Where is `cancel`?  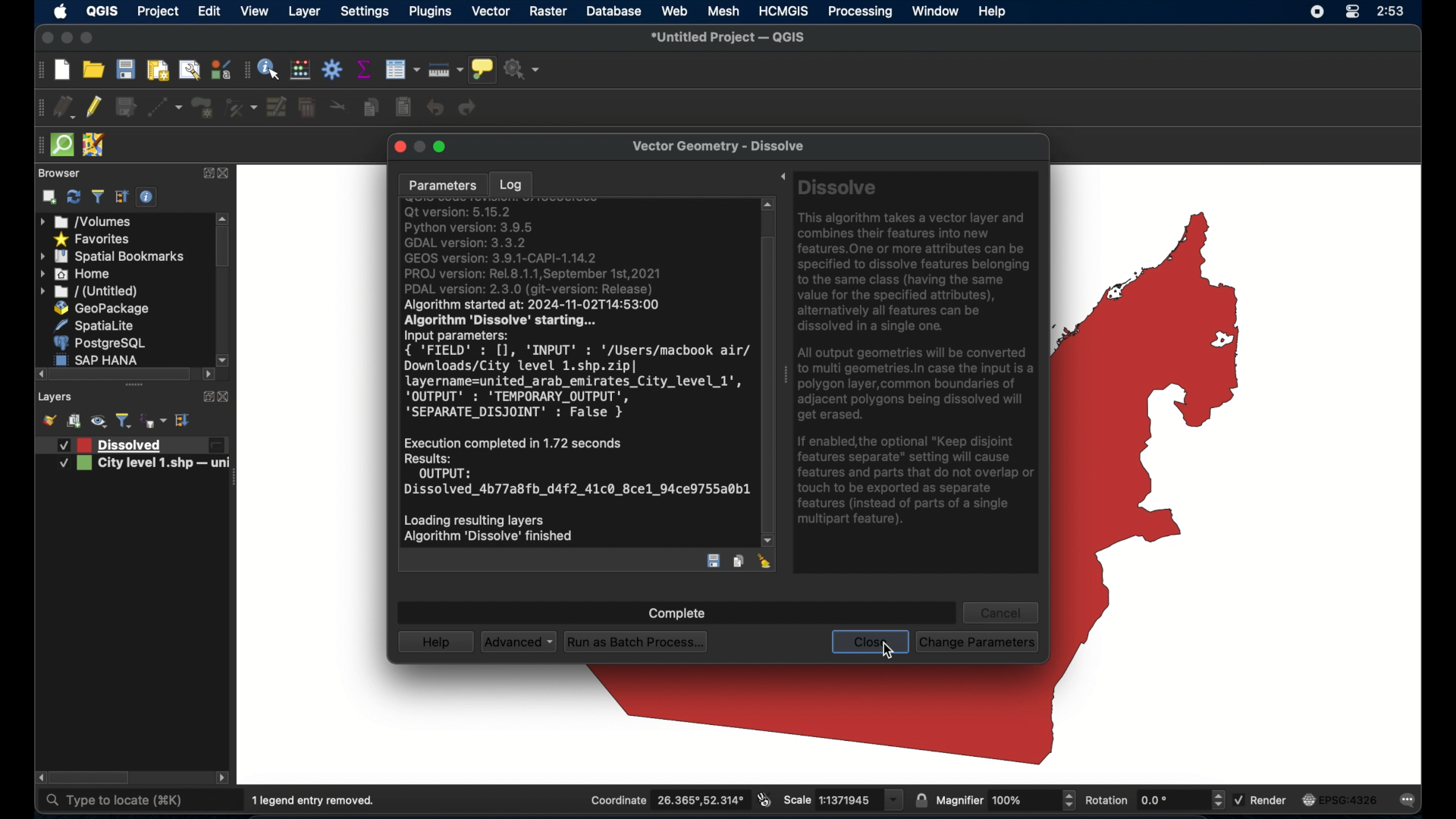
cancel is located at coordinates (1000, 613).